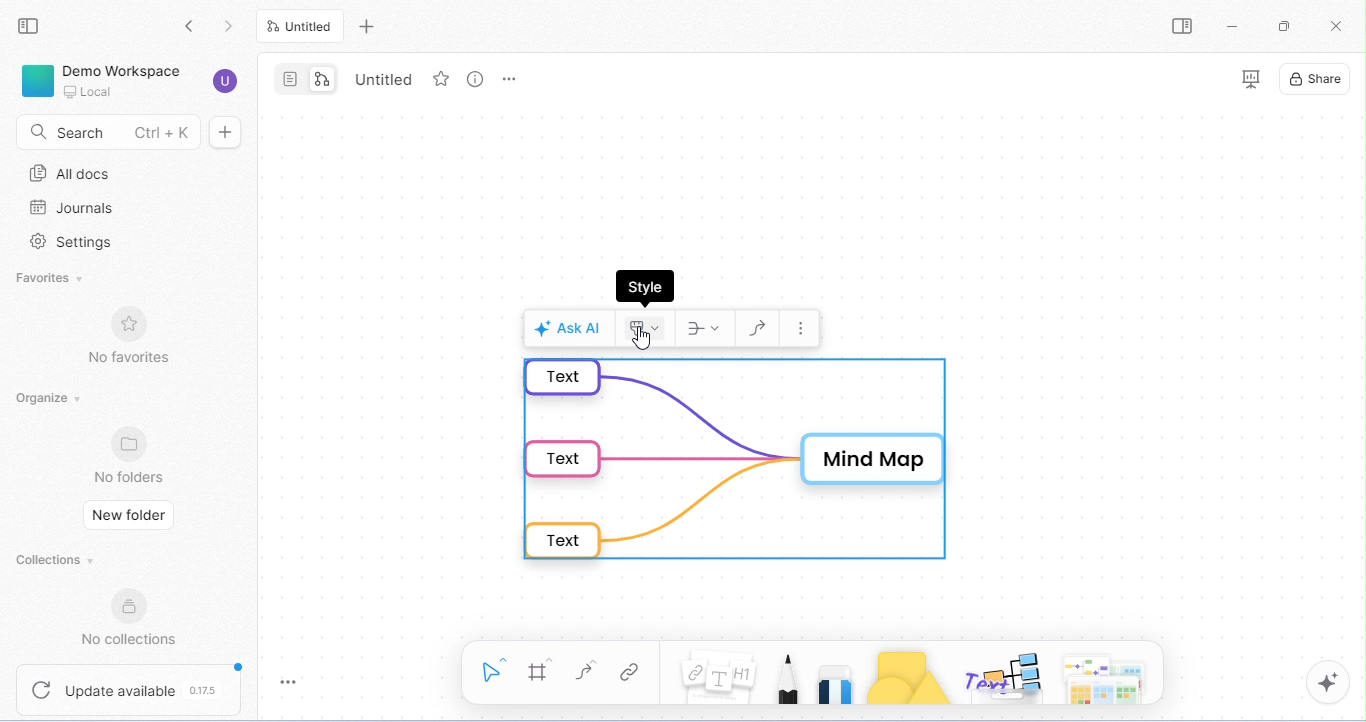 The width and height of the screenshot is (1366, 722). What do you see at coordinates (48, 399) in the screenshot?
I see `organize` at bounding box center [48, 399].